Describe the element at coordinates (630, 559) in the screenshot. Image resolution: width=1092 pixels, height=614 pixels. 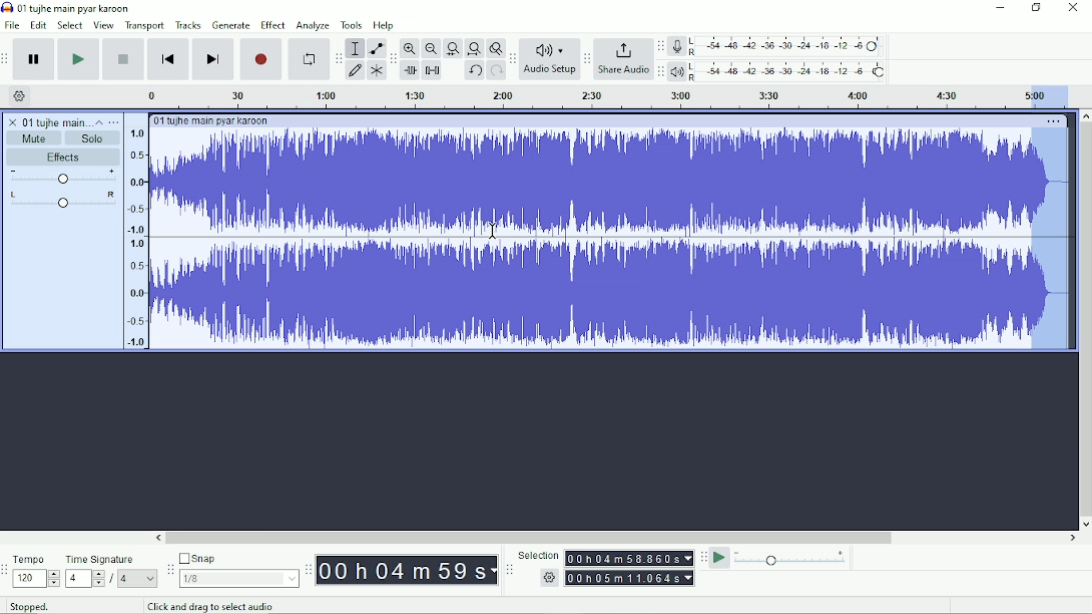
I see `00h00m00.000s` at that location.